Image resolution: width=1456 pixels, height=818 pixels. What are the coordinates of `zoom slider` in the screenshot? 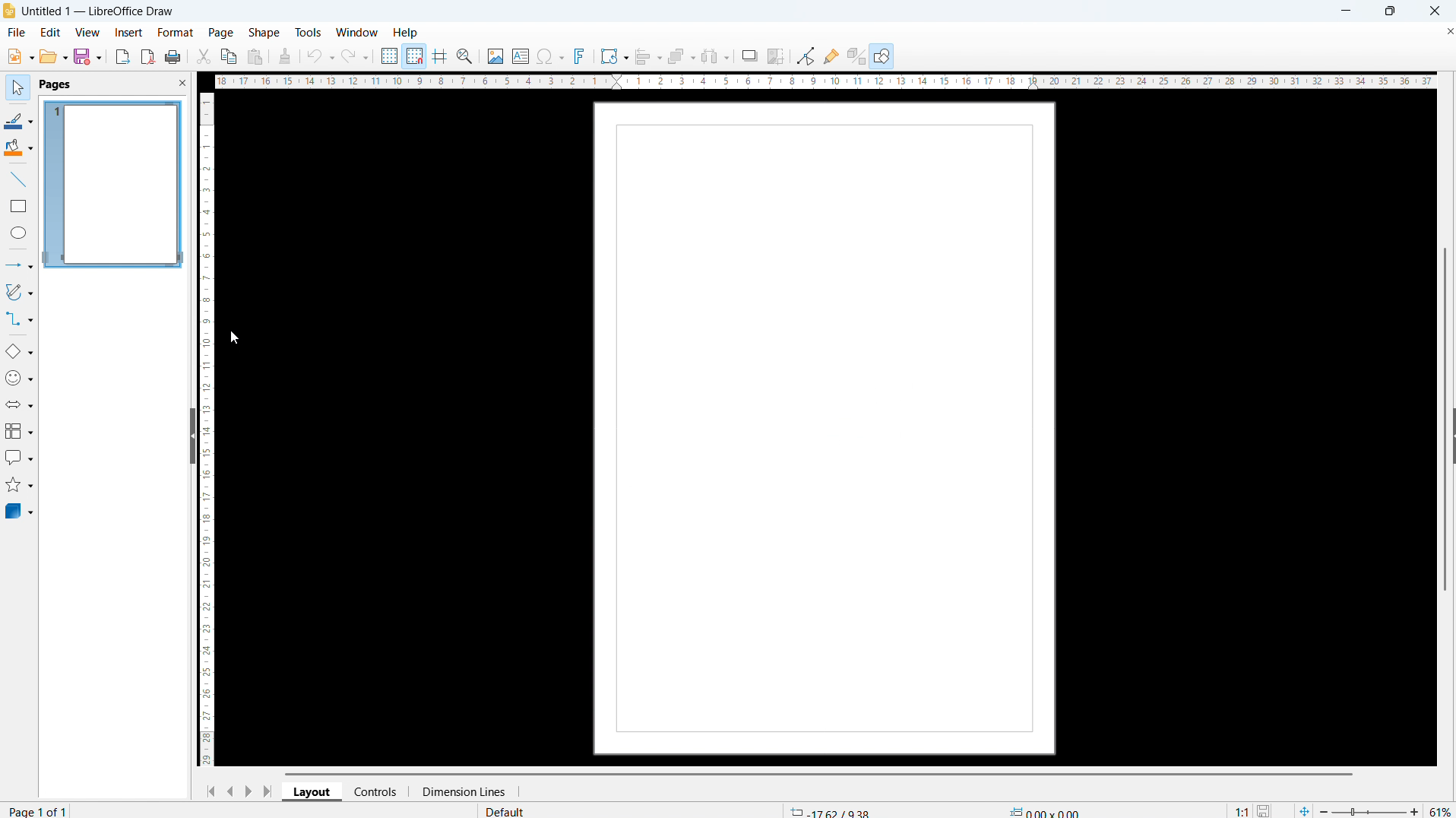 It's located at (1369, 809).